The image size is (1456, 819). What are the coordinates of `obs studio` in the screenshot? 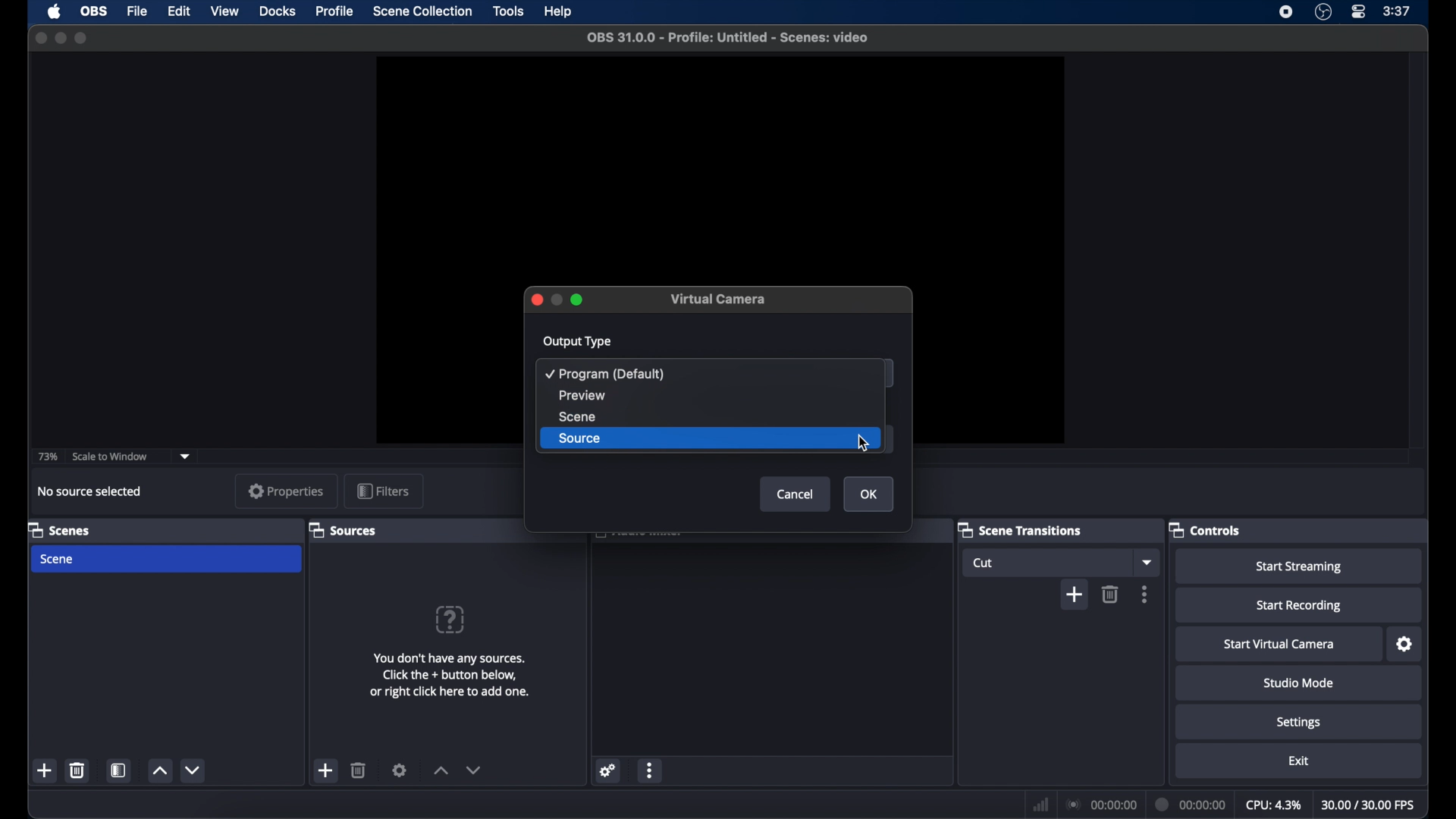 It's located at (1323, 12).